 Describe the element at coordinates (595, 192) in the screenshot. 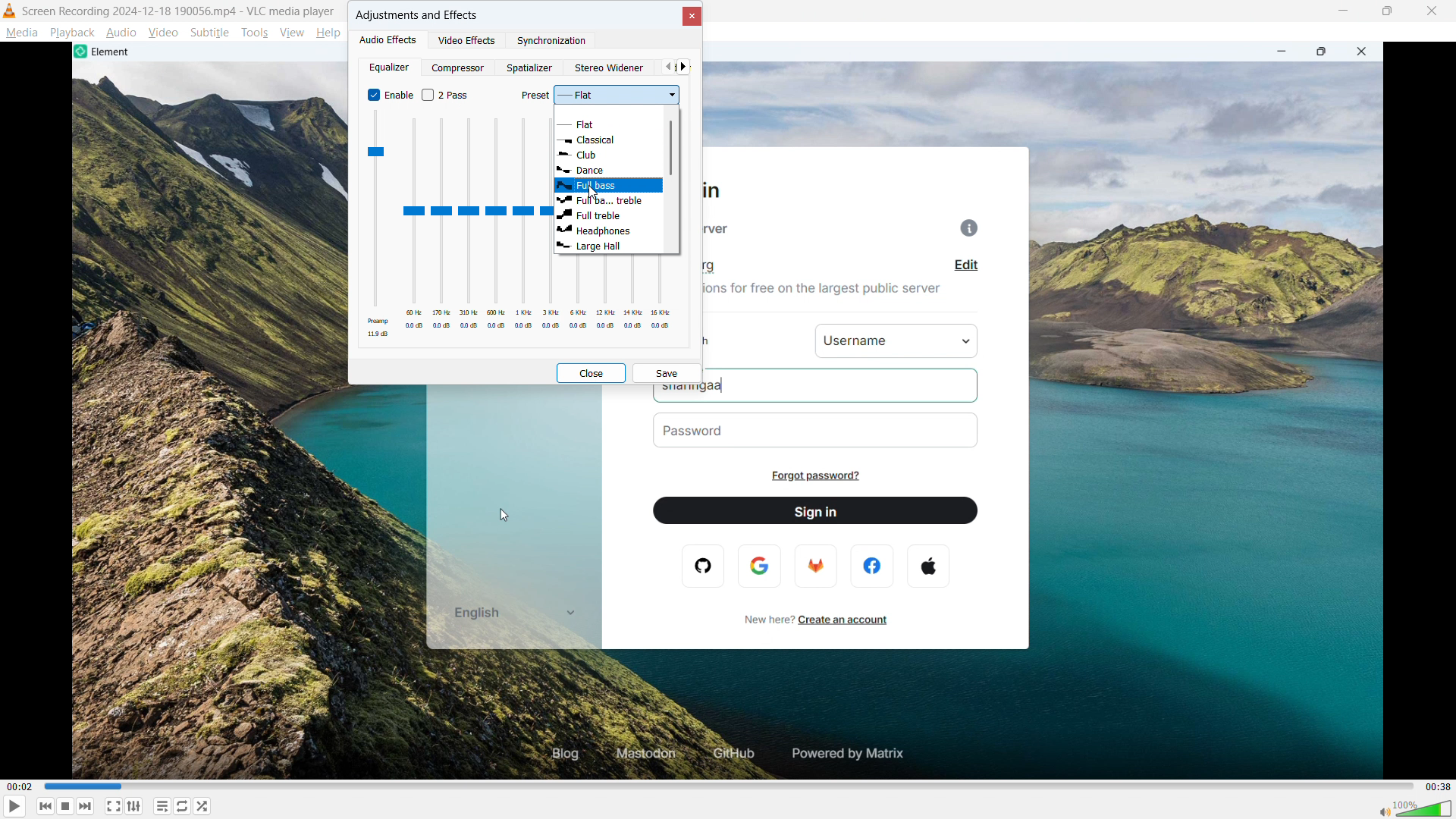

I see `Cursor` at that location.